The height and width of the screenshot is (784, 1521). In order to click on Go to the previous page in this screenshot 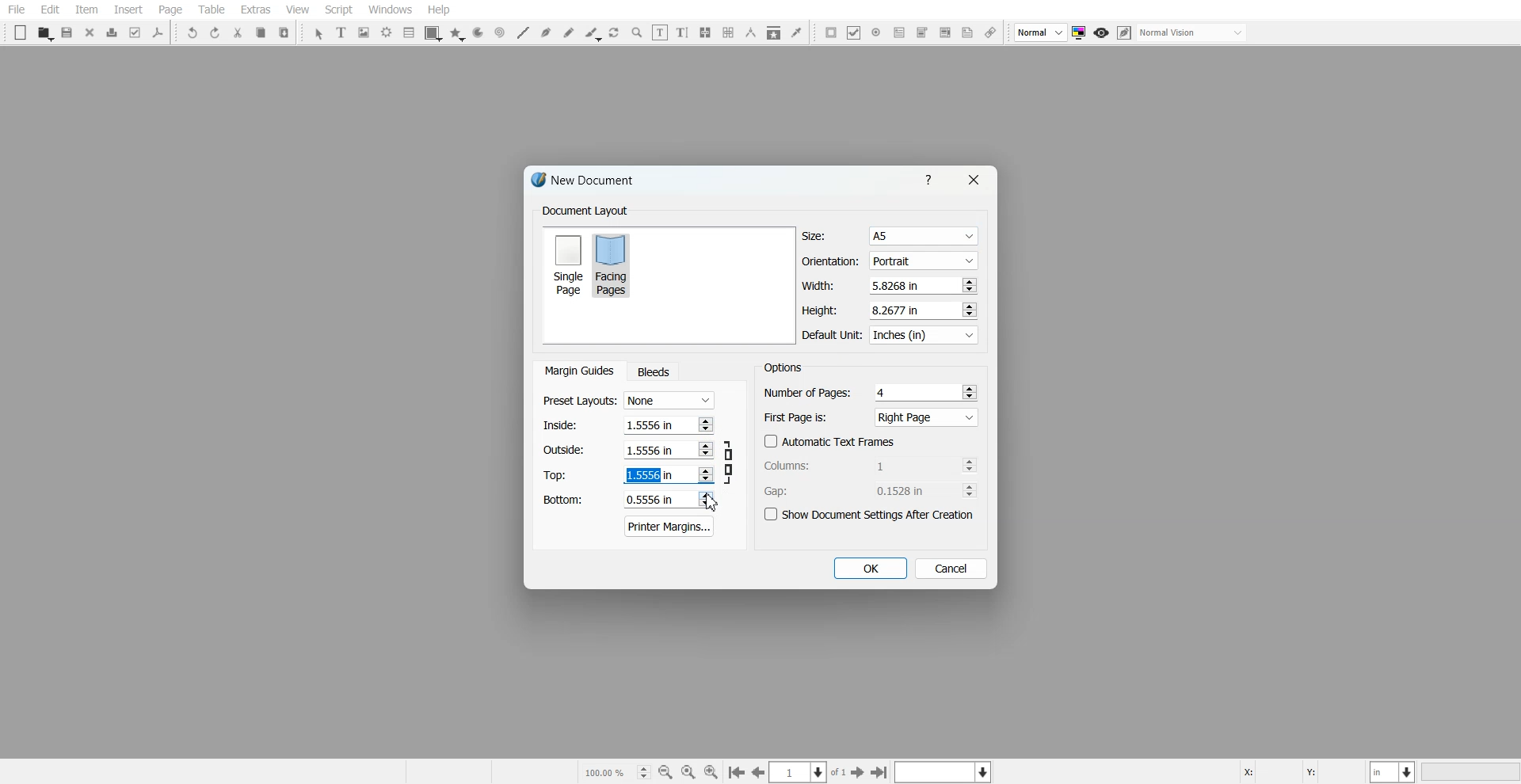, I will do `click(758, 772)`.